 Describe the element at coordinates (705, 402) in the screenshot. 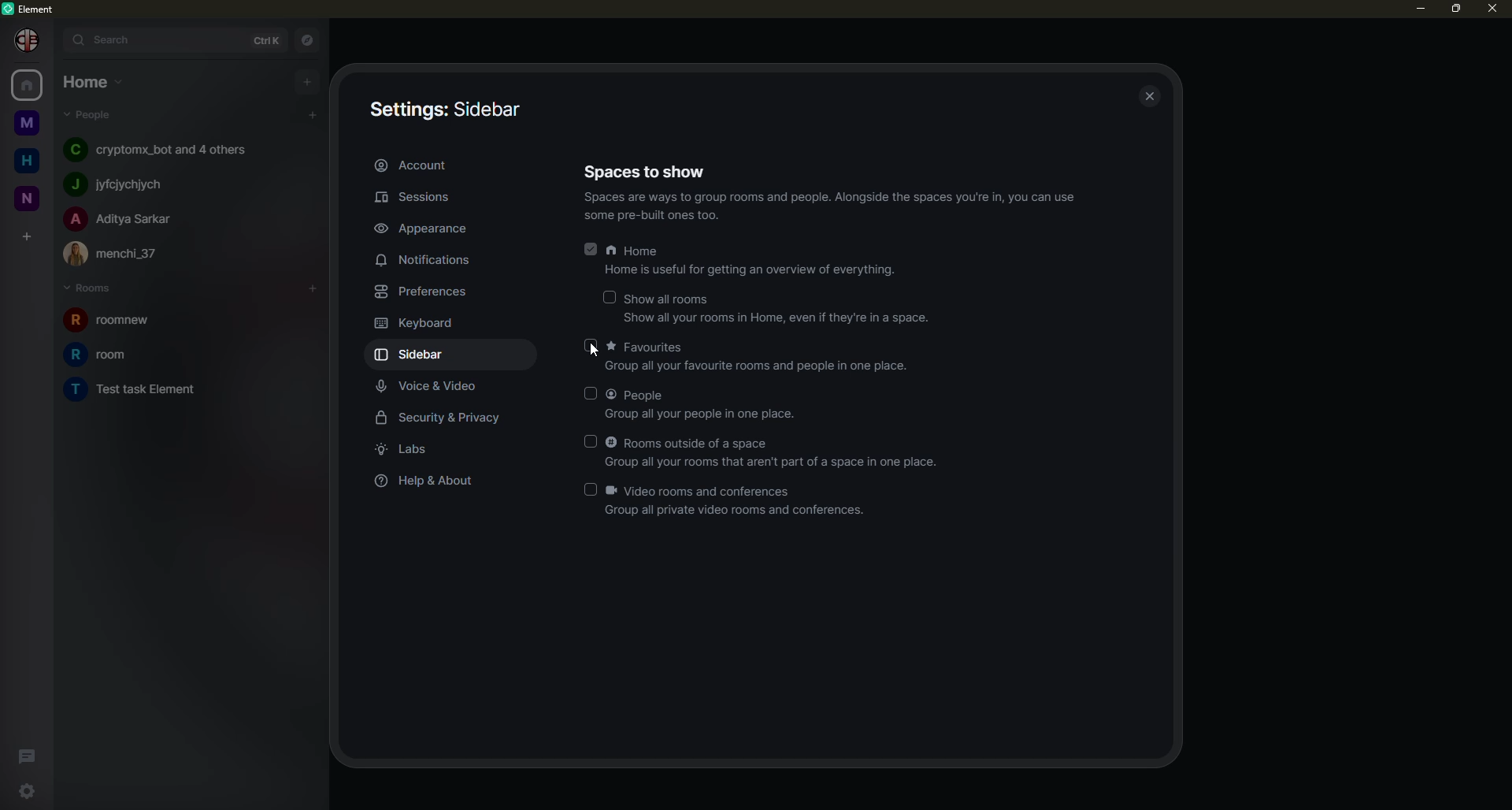

I see `people` at that location.